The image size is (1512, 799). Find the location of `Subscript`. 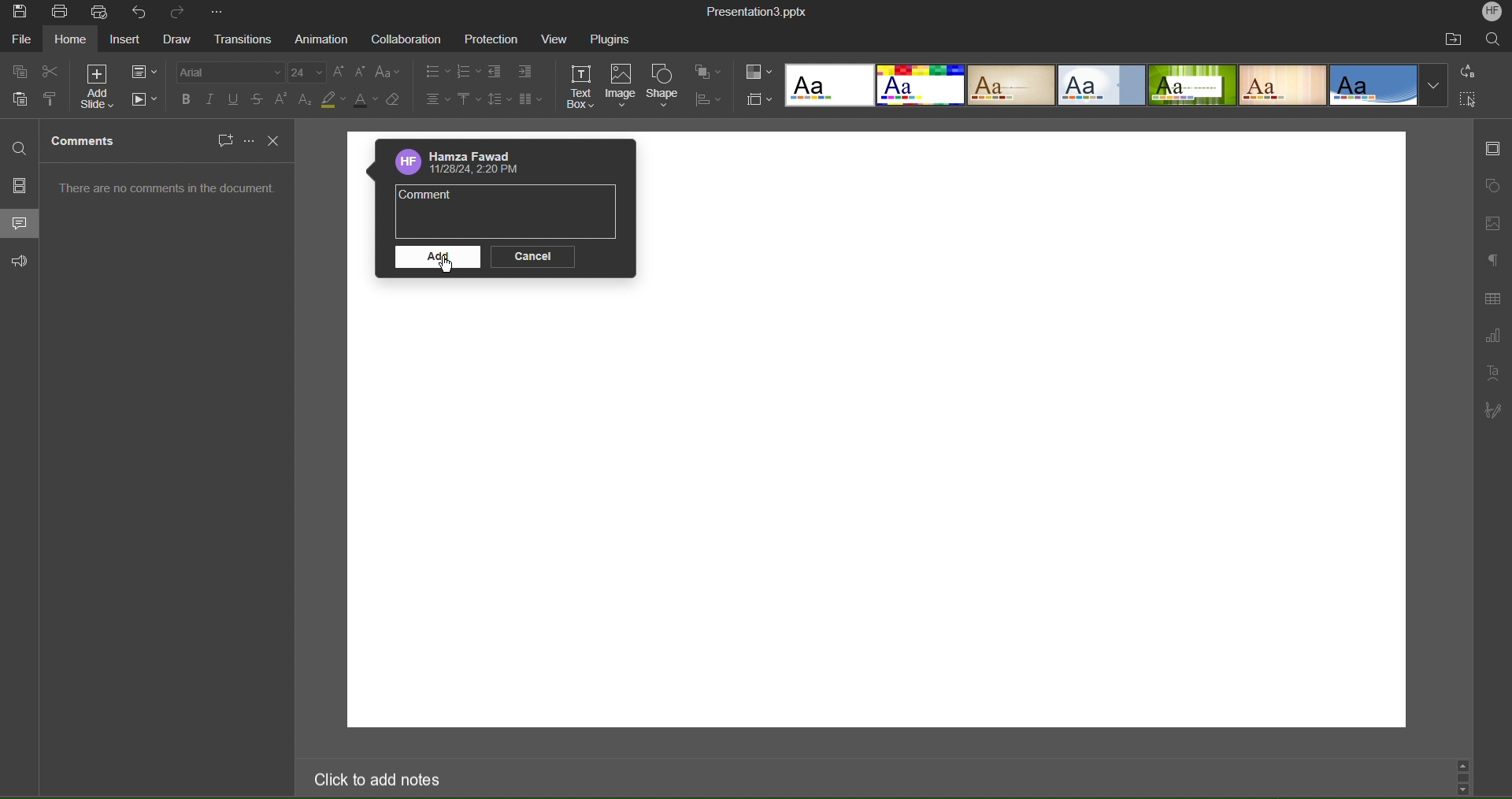

Subscript is located at coordinates (306, 100).